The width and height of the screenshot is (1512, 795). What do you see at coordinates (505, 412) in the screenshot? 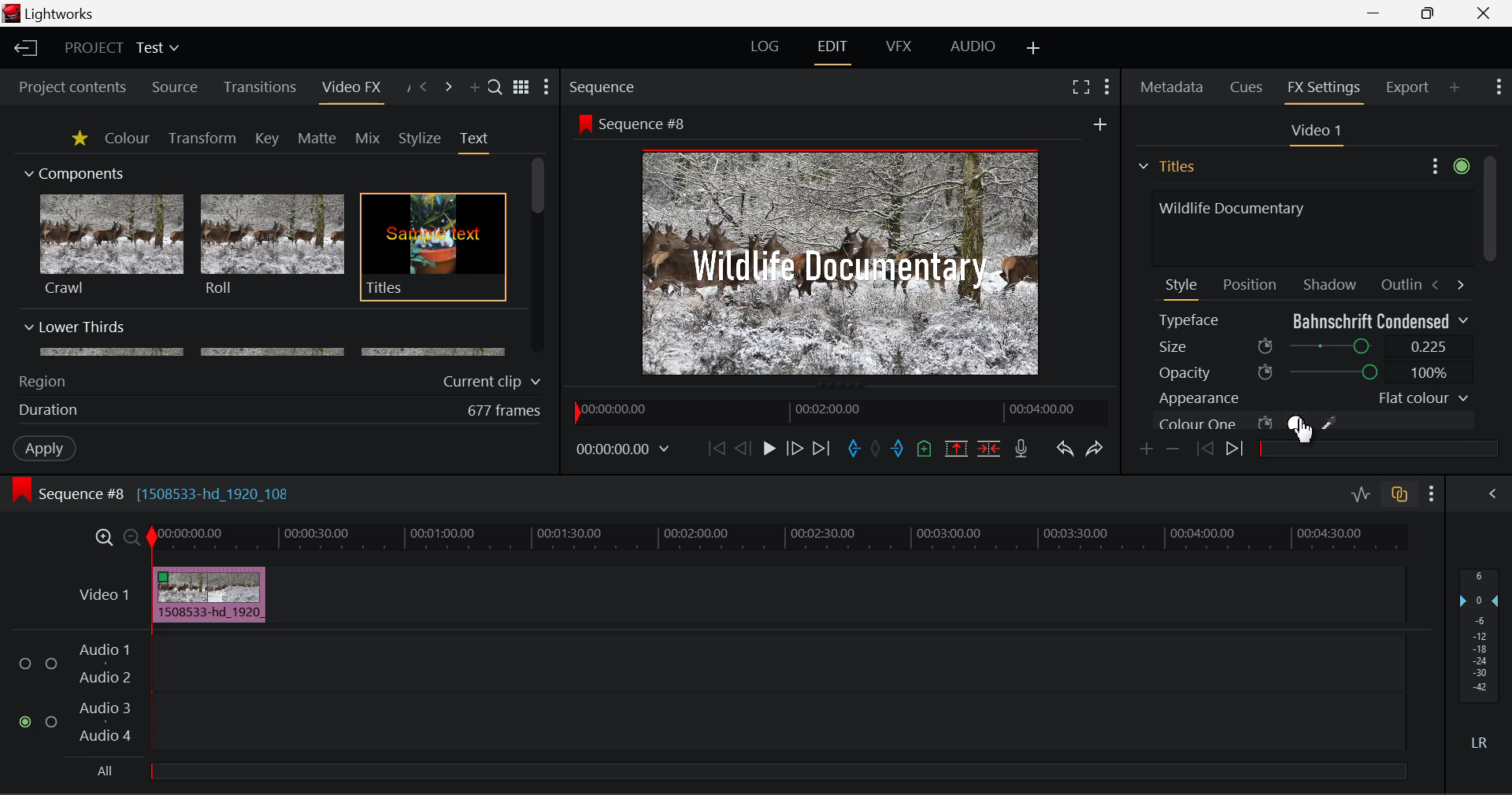
I see `677 frames` at bounding box center [505, 412].